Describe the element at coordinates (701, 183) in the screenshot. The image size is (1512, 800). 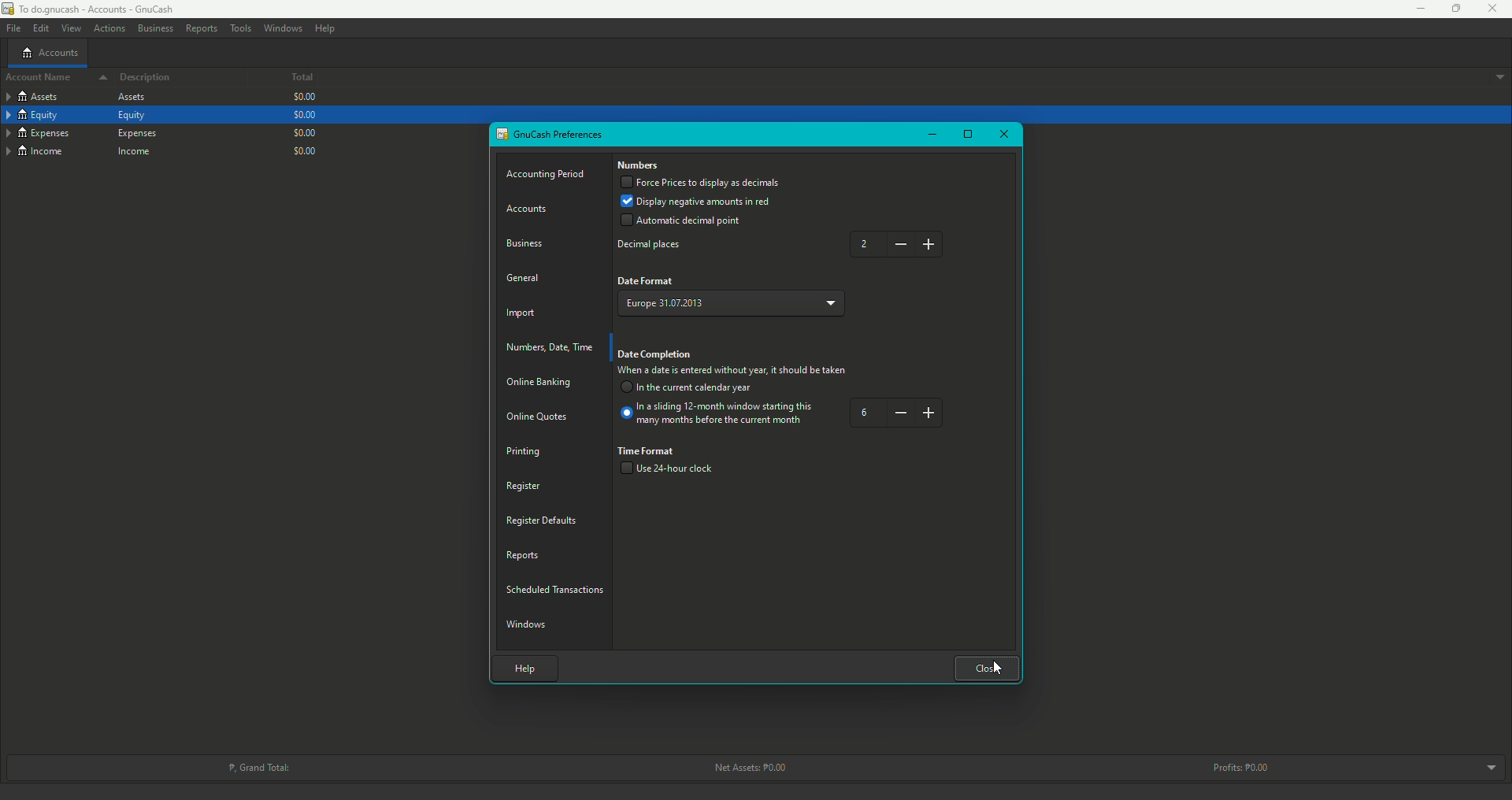
I see `Force Prices` at that location.